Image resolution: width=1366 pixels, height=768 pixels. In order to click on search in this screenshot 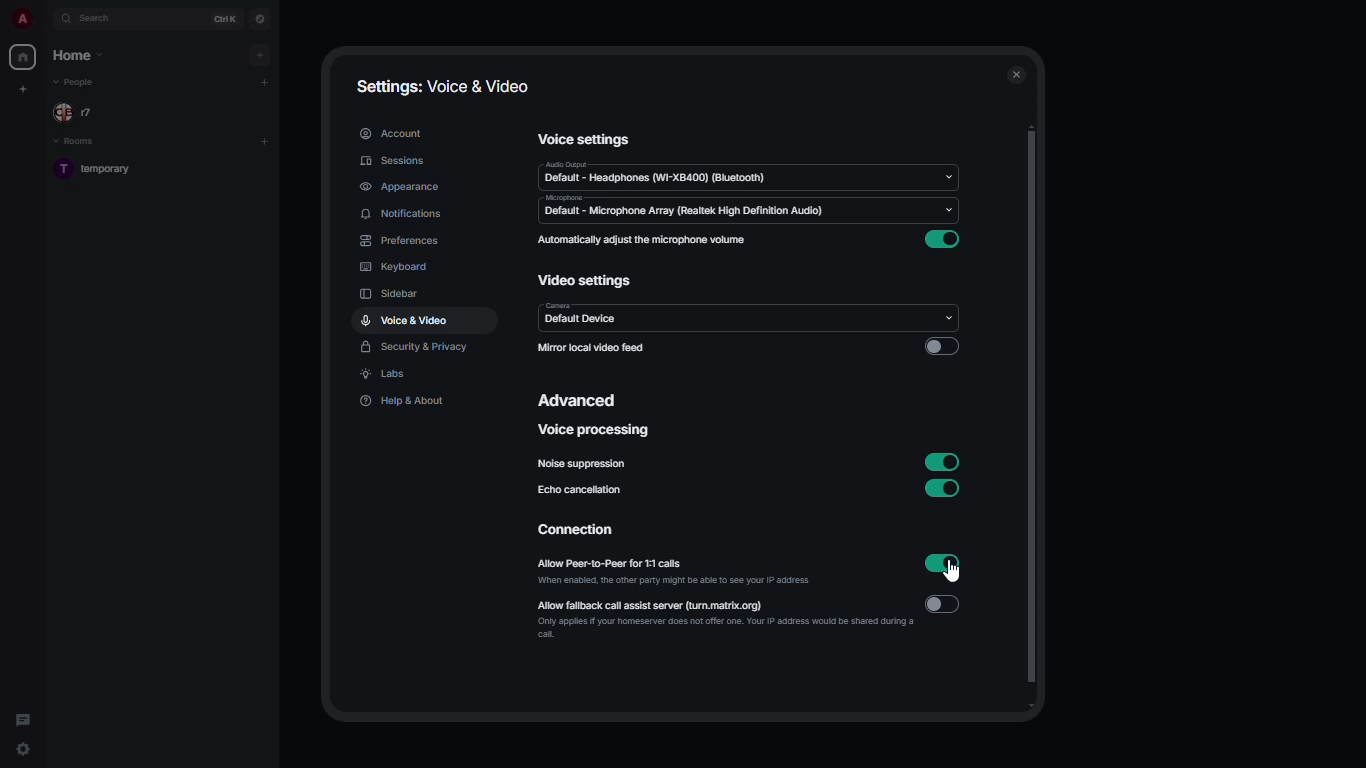, I will do `click(96, 18)`.